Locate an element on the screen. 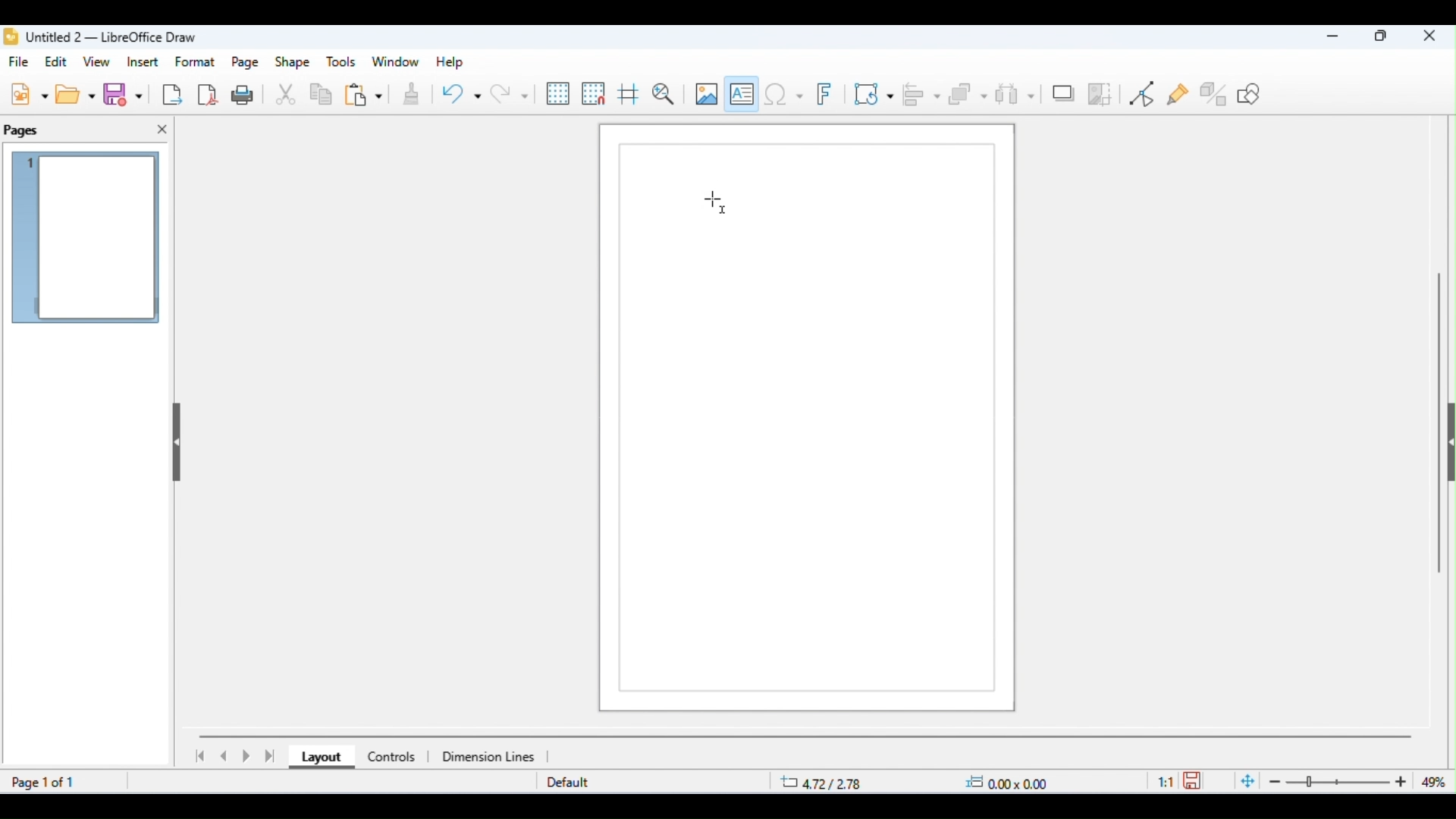 This screenshot has height=819, width=1456. pages is located at coordinates (23, 131).